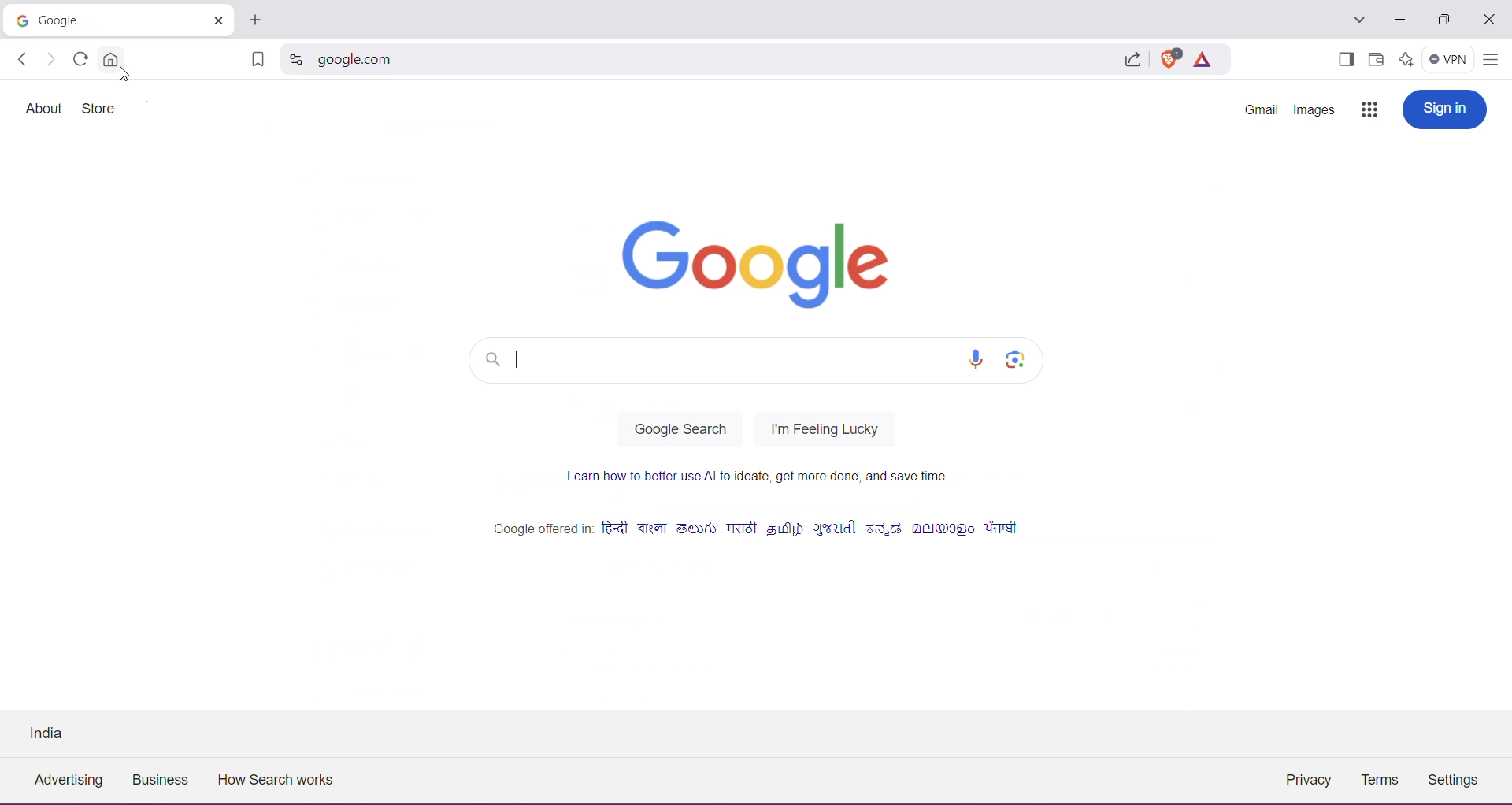 The width and height of the screenshot is (1512, 805). I want to click on Bookmark this Page, so click(256, 61).